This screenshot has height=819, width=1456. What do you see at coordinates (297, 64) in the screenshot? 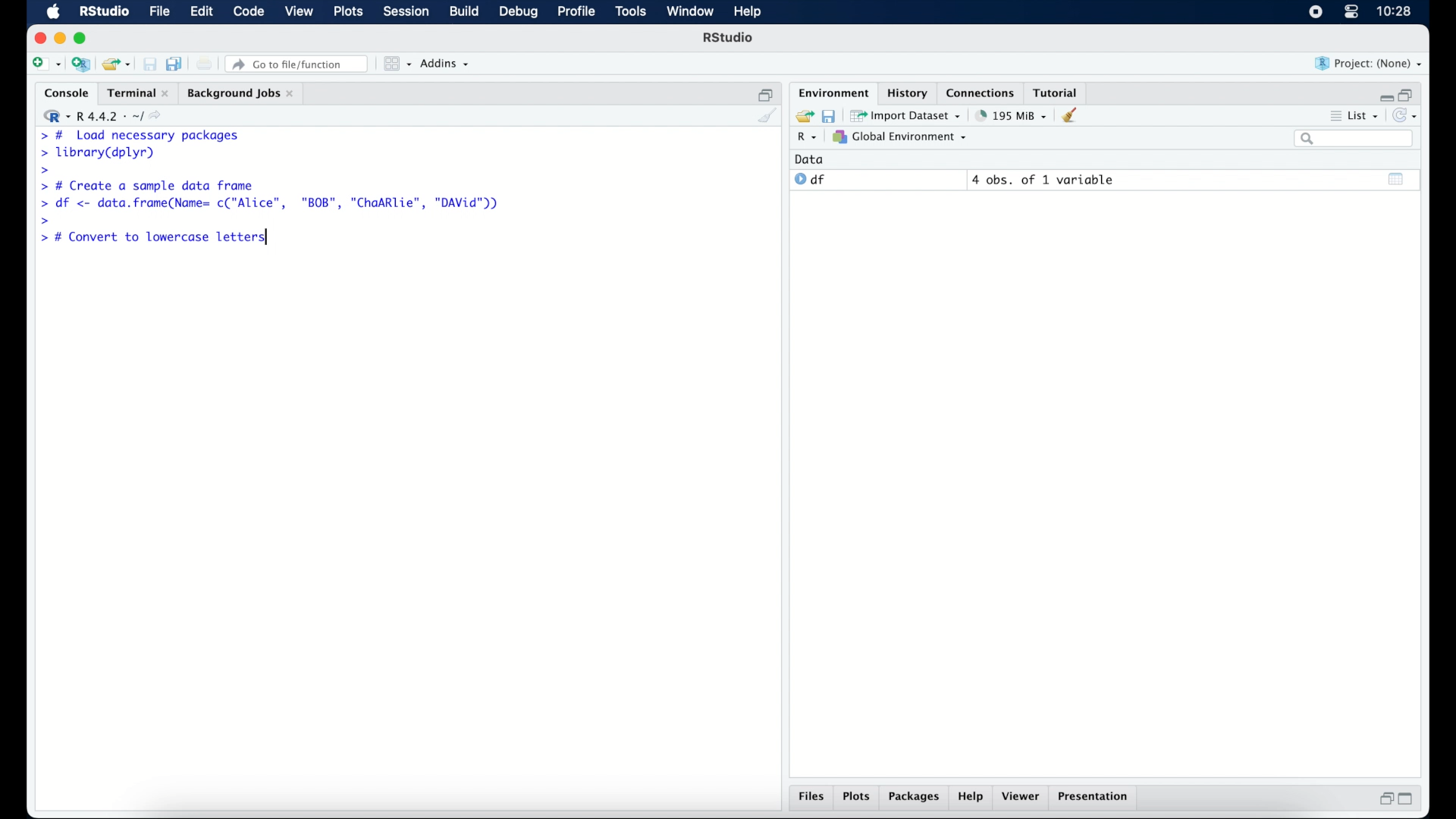
I see `go to file/function` at bounding box center [297, 64].